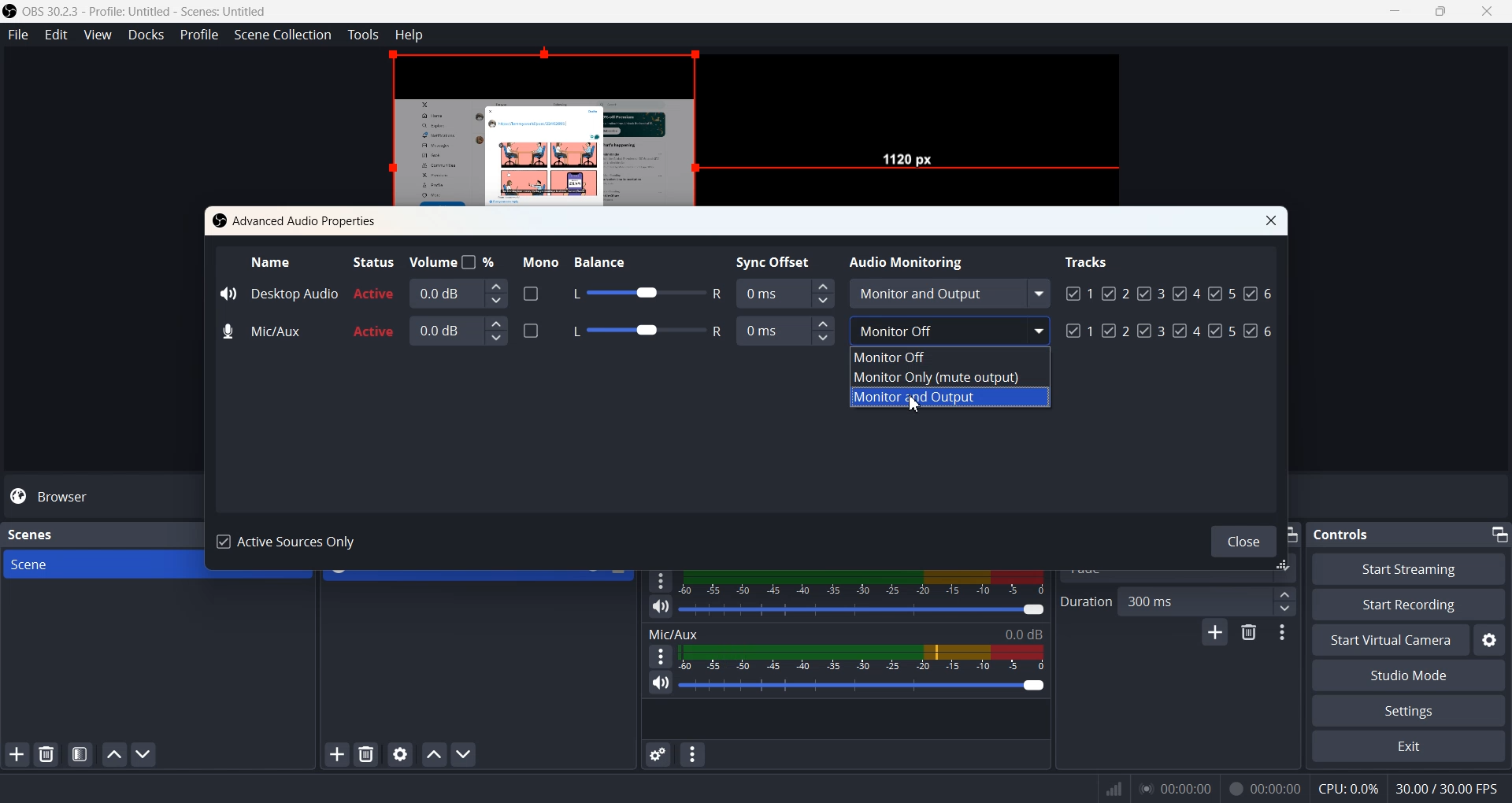 The height and width of the screenshot is (803, 1512). What do you see at coordinates (1410, 568) in the screenshot?
I see `Start Streaming` at bounding box center [1410, 568].